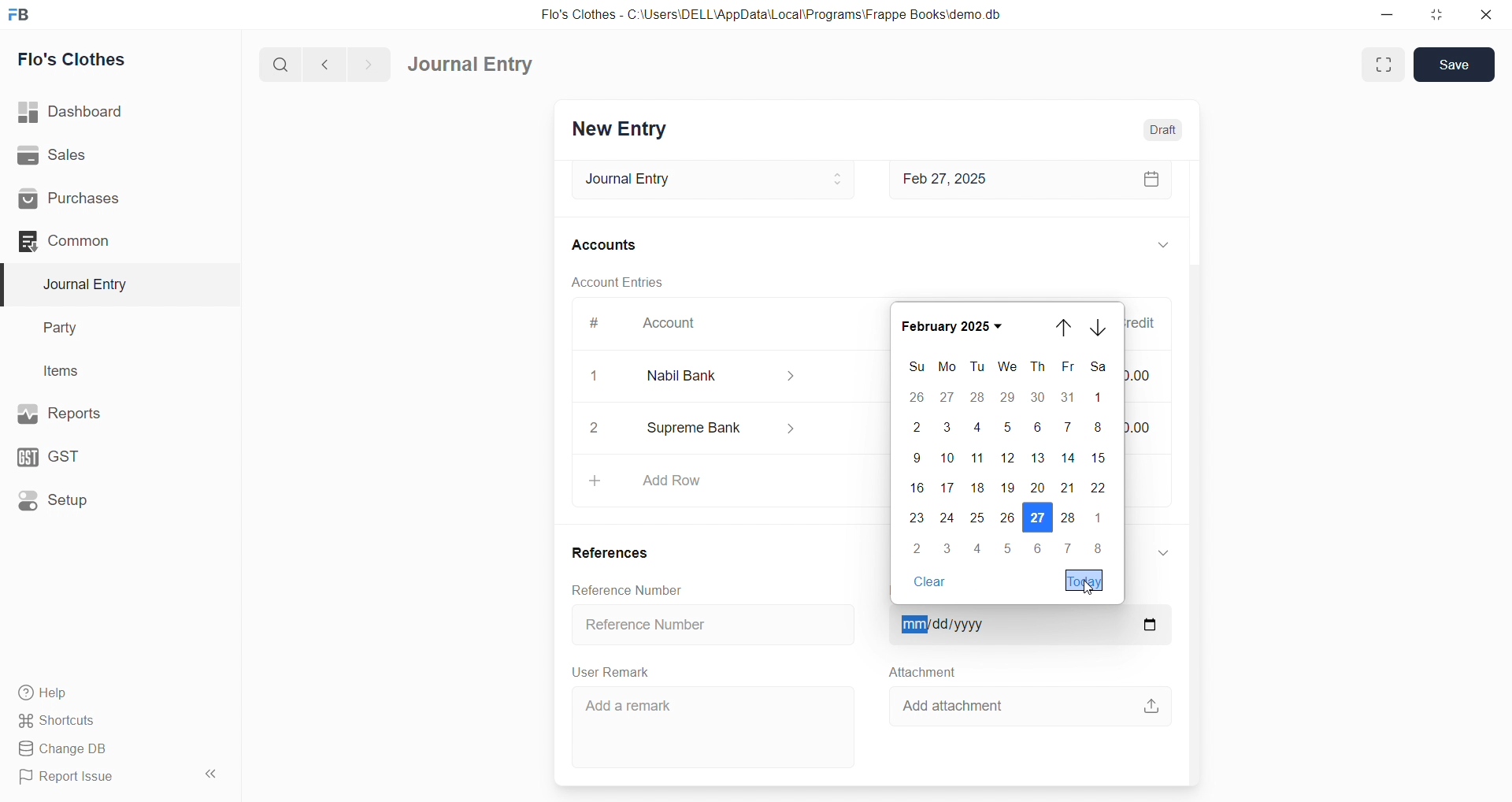 Image resolution: width=1512 pixels, height=802 pixels. Describe the element at coordinates (1025, 625) in the screenshot. I see `mm/dd/yyyy` at that location.